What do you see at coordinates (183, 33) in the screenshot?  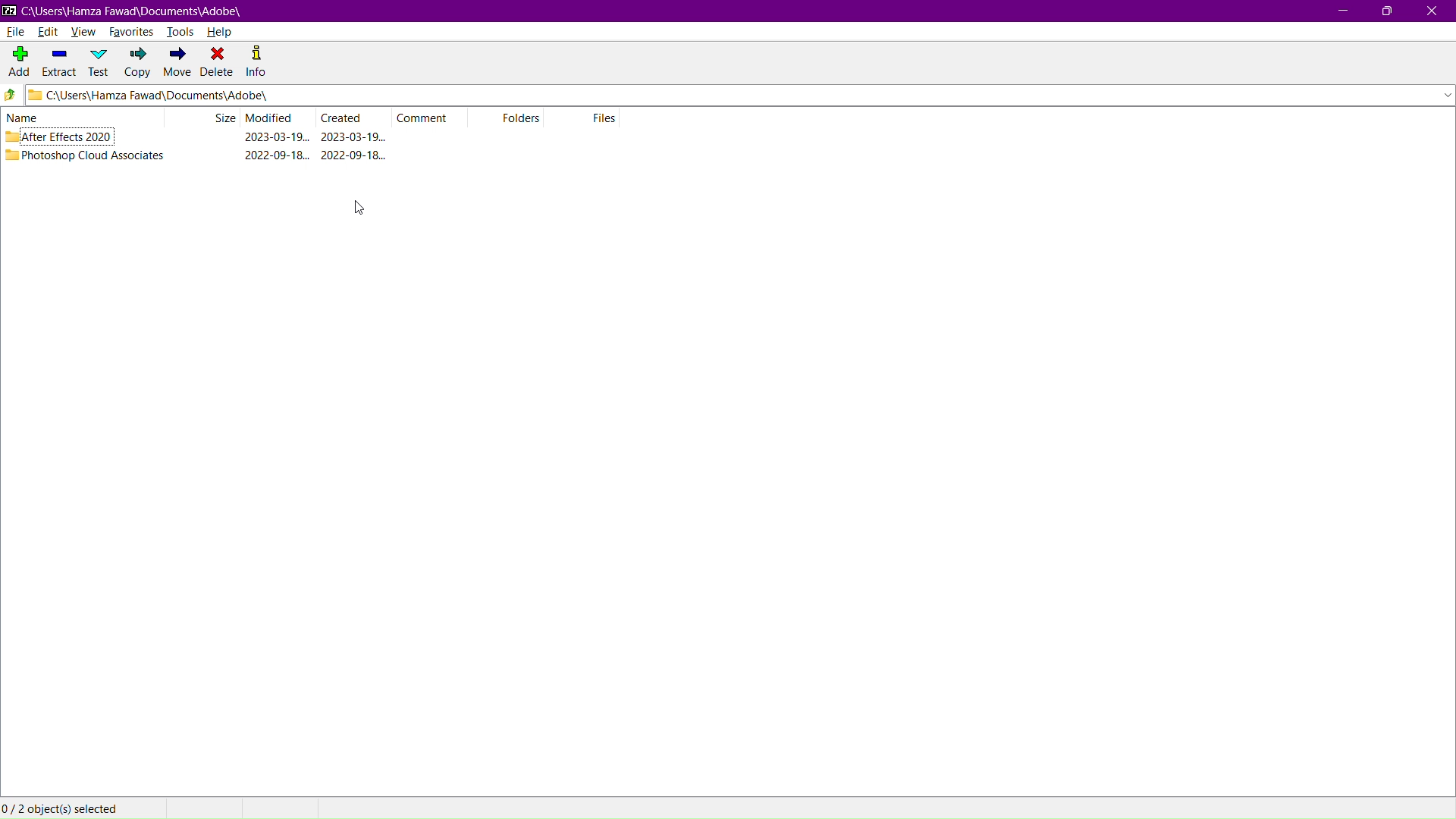 I see `Tools` at bounding box center [183, 33].